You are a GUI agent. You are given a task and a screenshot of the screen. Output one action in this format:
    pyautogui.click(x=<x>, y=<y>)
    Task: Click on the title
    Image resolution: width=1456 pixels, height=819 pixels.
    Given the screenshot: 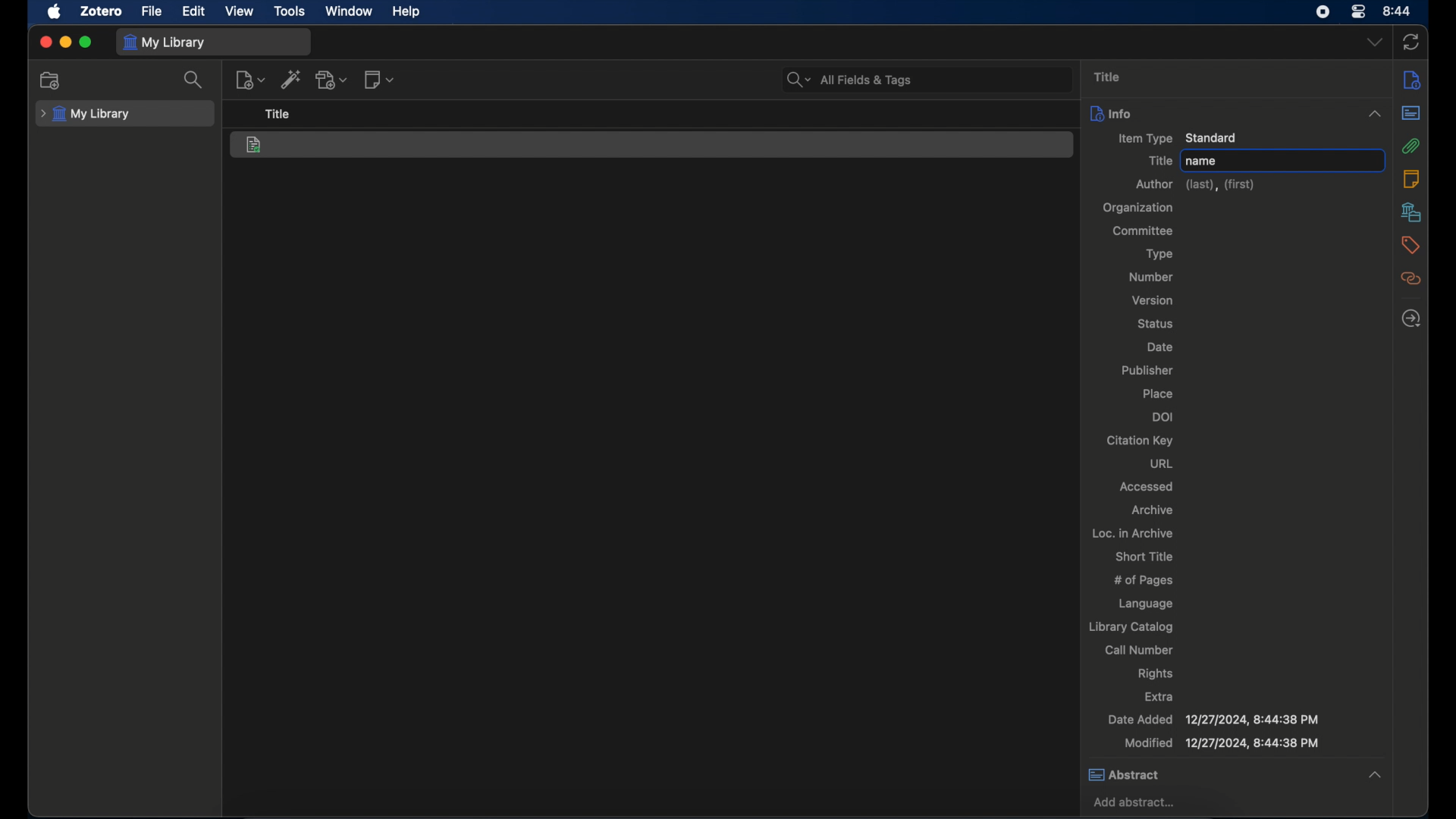 What is the action you would take?
    pyautogui.click(x=1106, y=76)
    